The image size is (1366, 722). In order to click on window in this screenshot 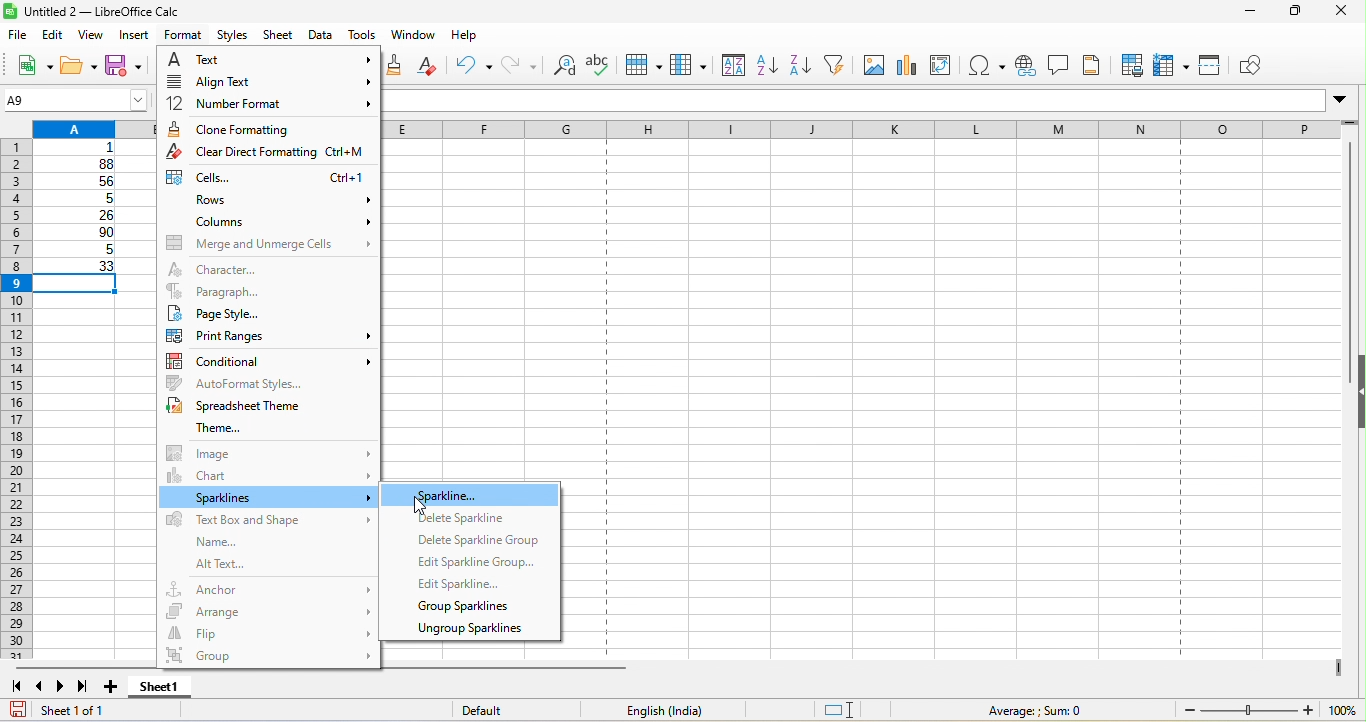, I will do `click(413, 37)`.